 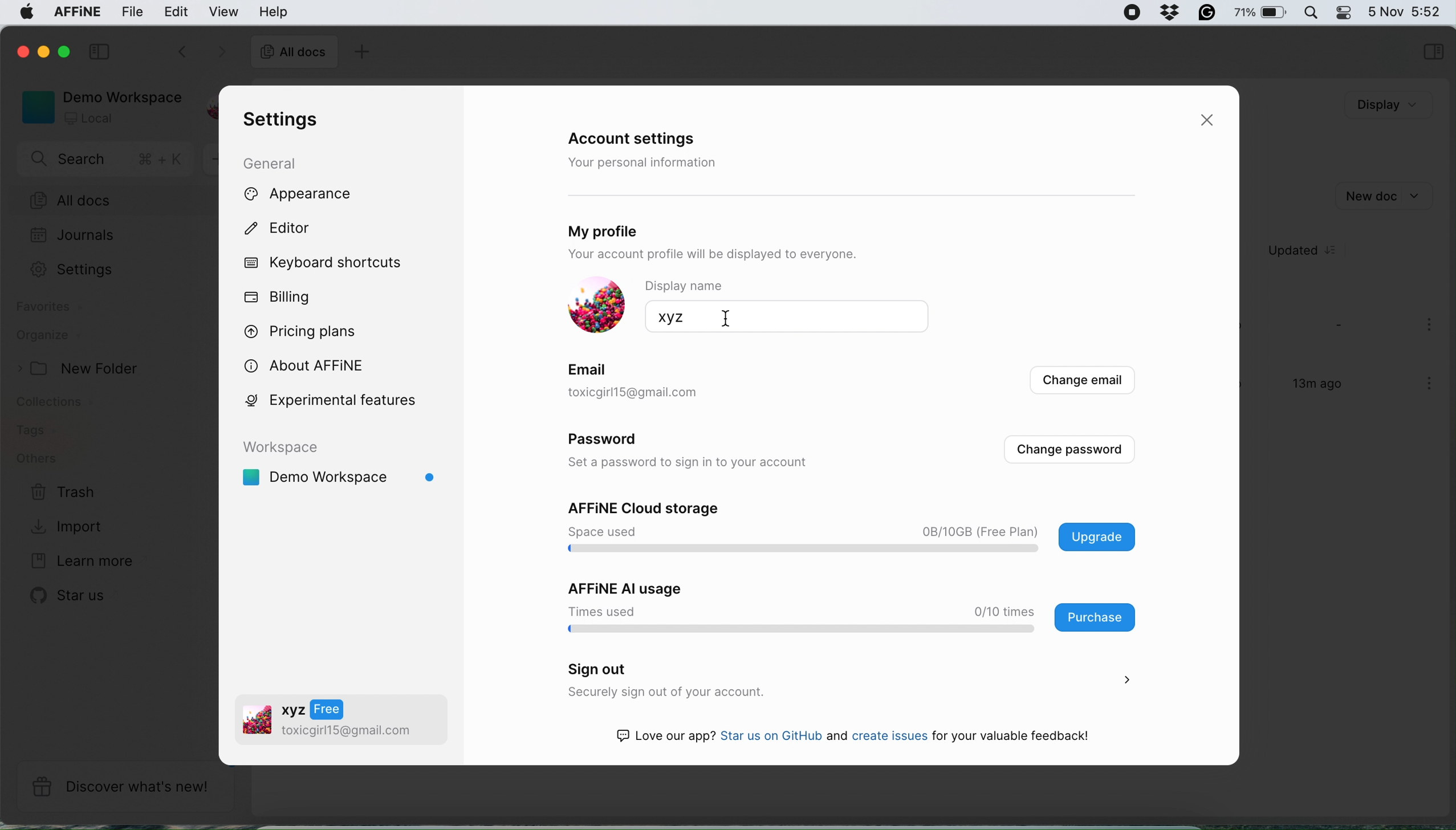 I want to click on collections, so click(x=64, y=404).